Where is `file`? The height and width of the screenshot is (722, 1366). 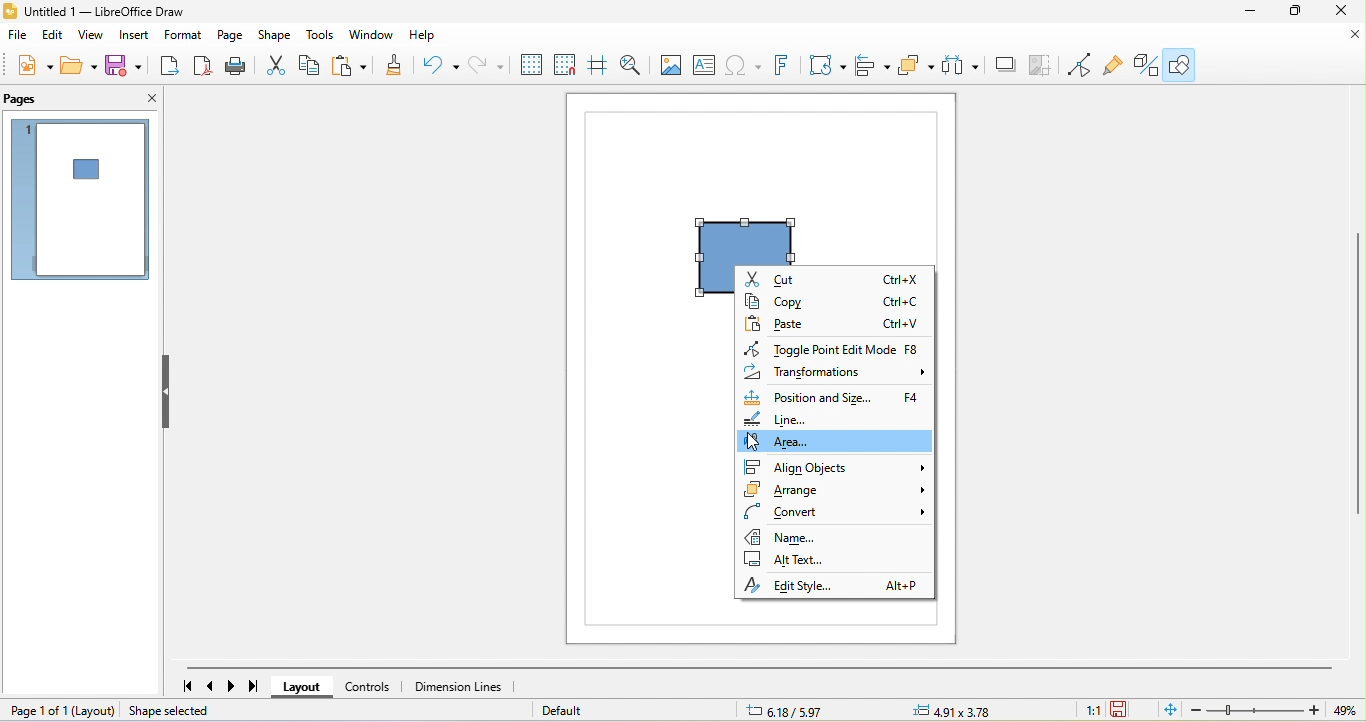
file is located at coordinates (20, 36).